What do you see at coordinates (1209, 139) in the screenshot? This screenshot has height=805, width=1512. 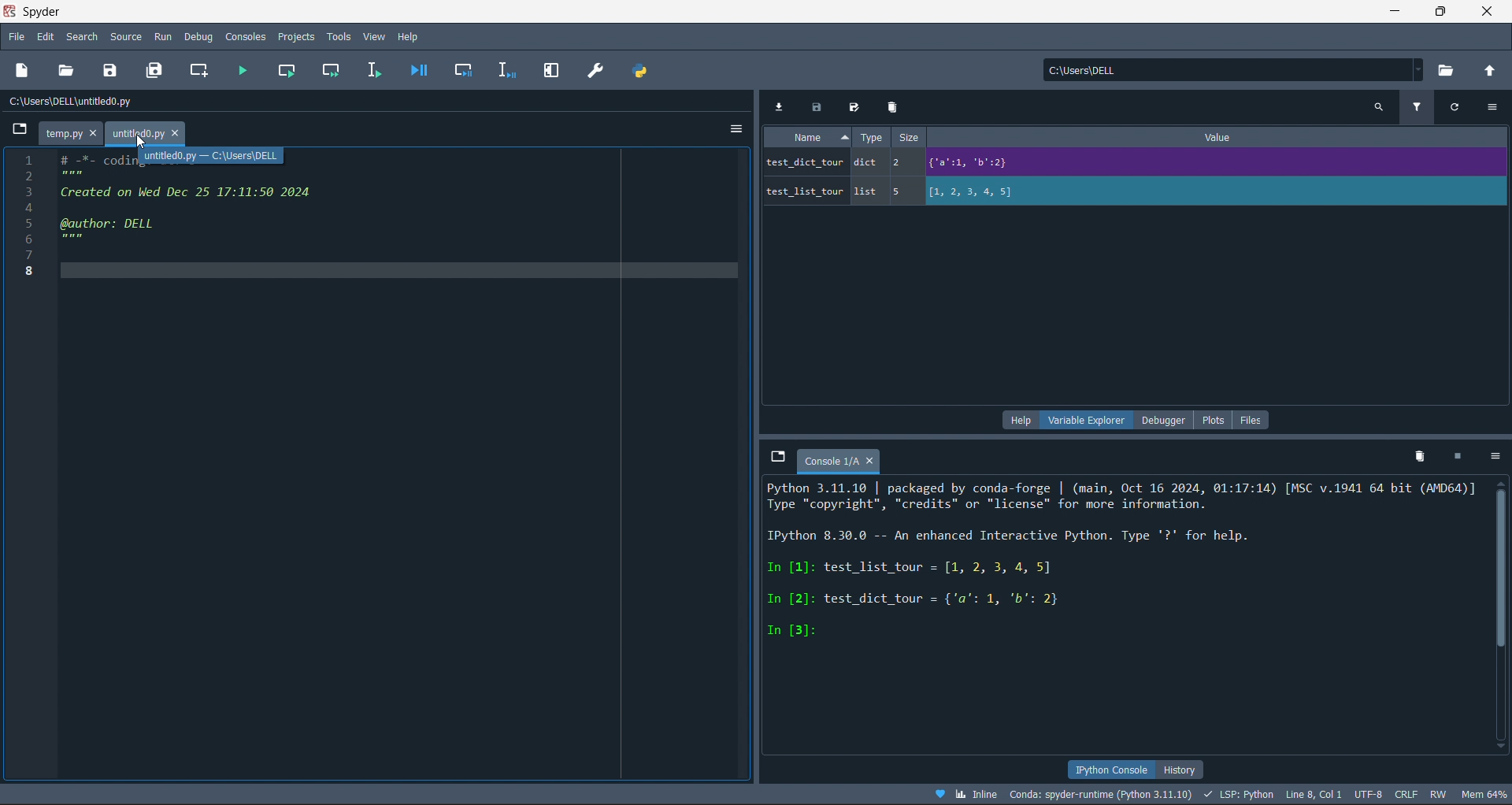 I see `value` at bounding box center [1209, 139].